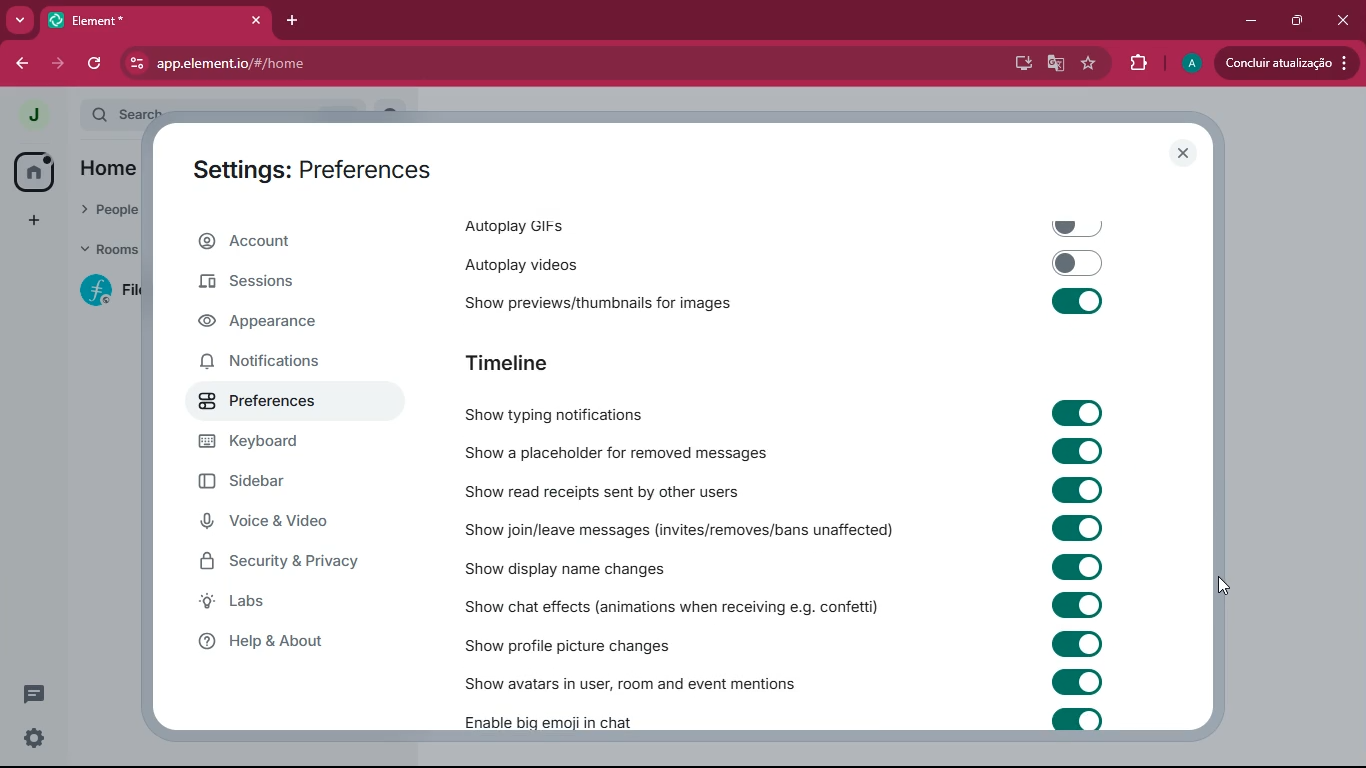  What do you see at coordinates (23, 64) in the screenshot?
I see `back` at bounding box center [23, 64].